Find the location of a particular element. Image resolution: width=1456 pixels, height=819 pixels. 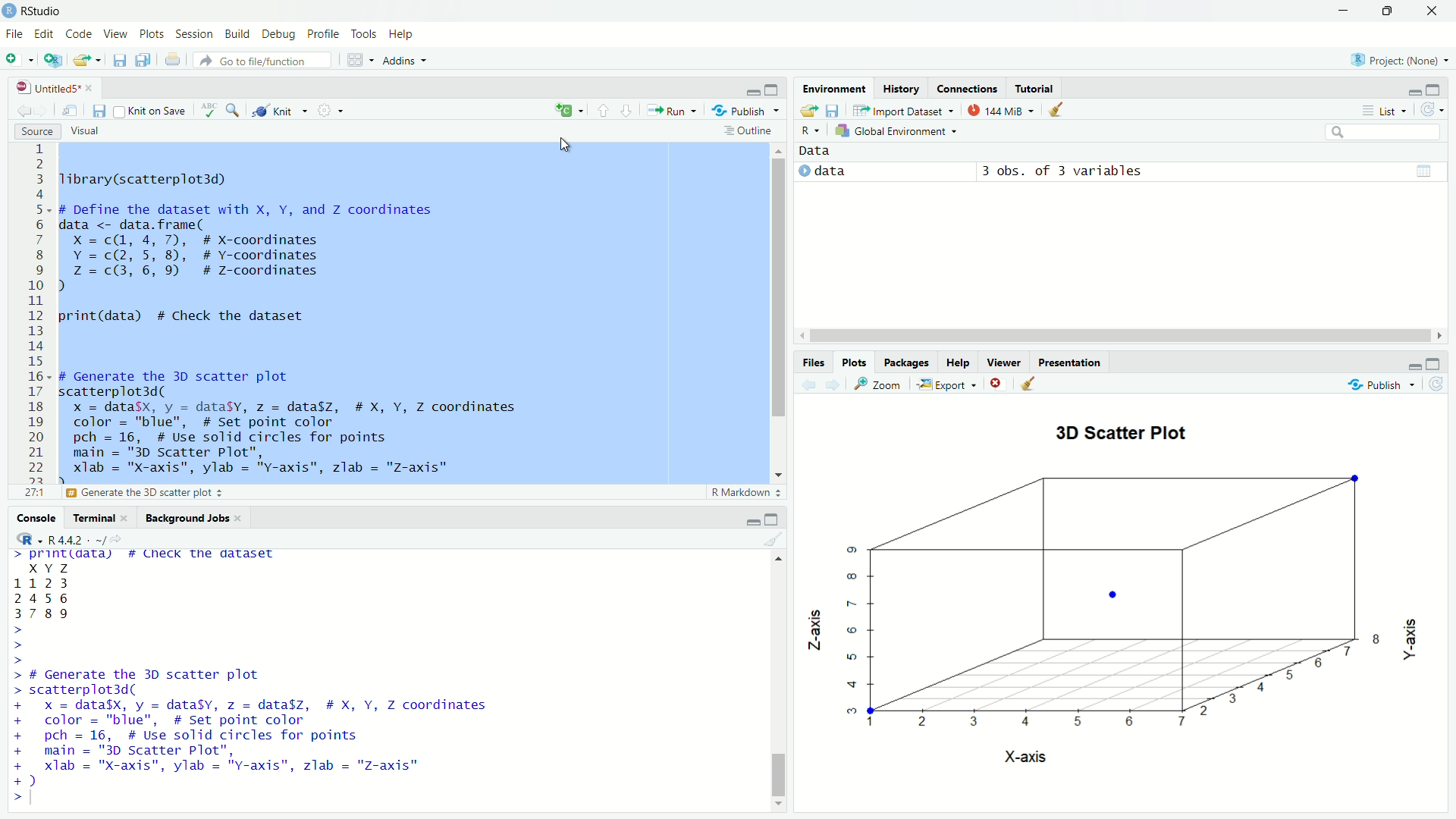

2456 is located at coordinates (42, 598).